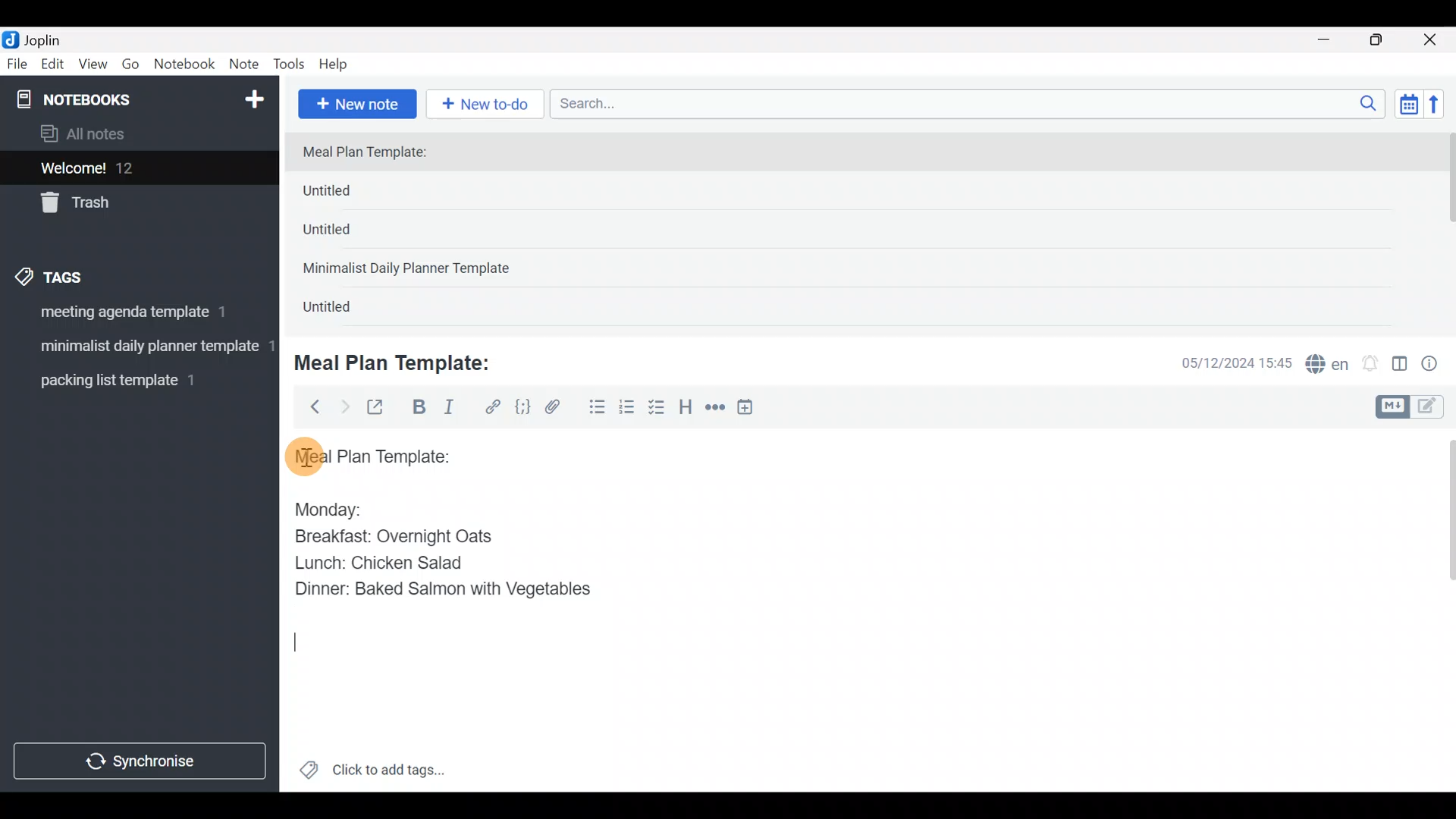  I want to click on Code, so click(521, 406).